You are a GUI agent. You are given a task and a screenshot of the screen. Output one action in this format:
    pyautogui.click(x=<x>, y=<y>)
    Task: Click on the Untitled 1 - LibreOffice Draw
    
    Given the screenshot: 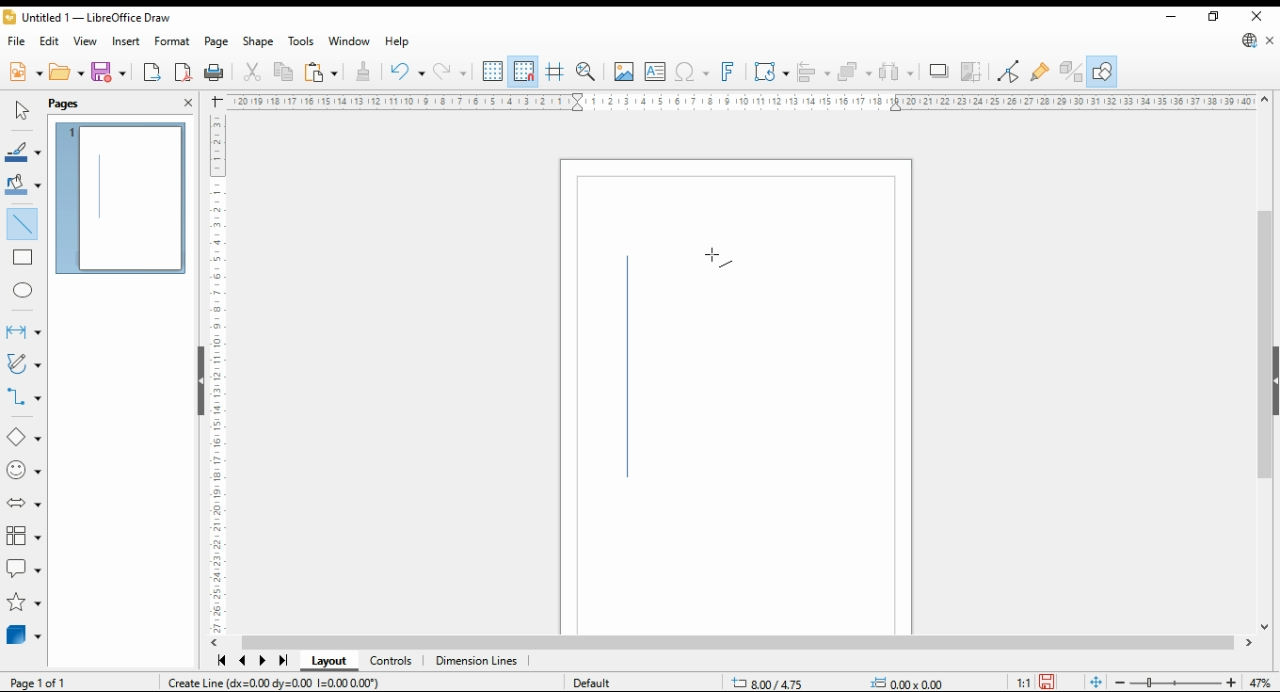 What is the action you would take?
    pyautogui.click(x=86, y=19)
    